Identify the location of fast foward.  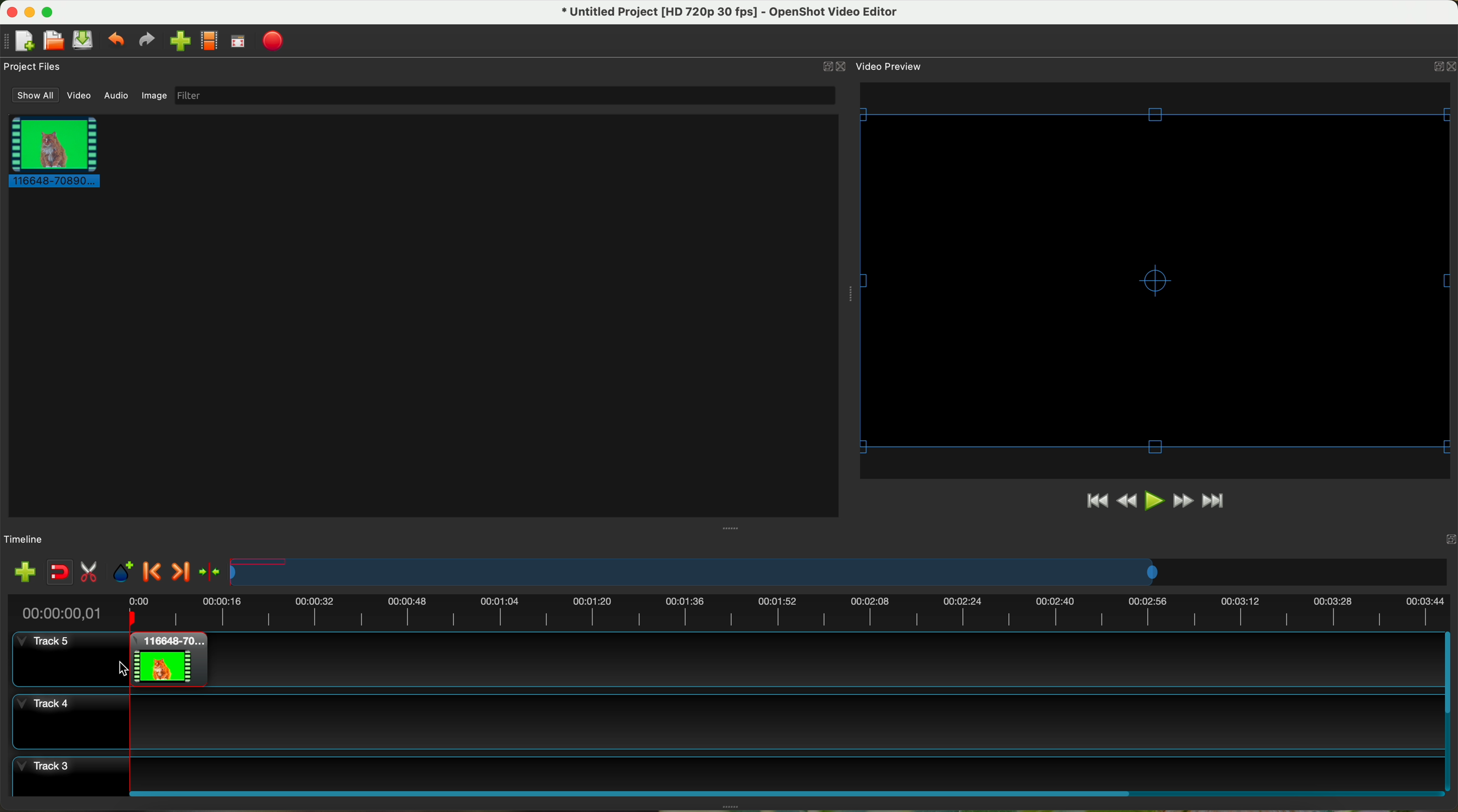
(1183, 501).